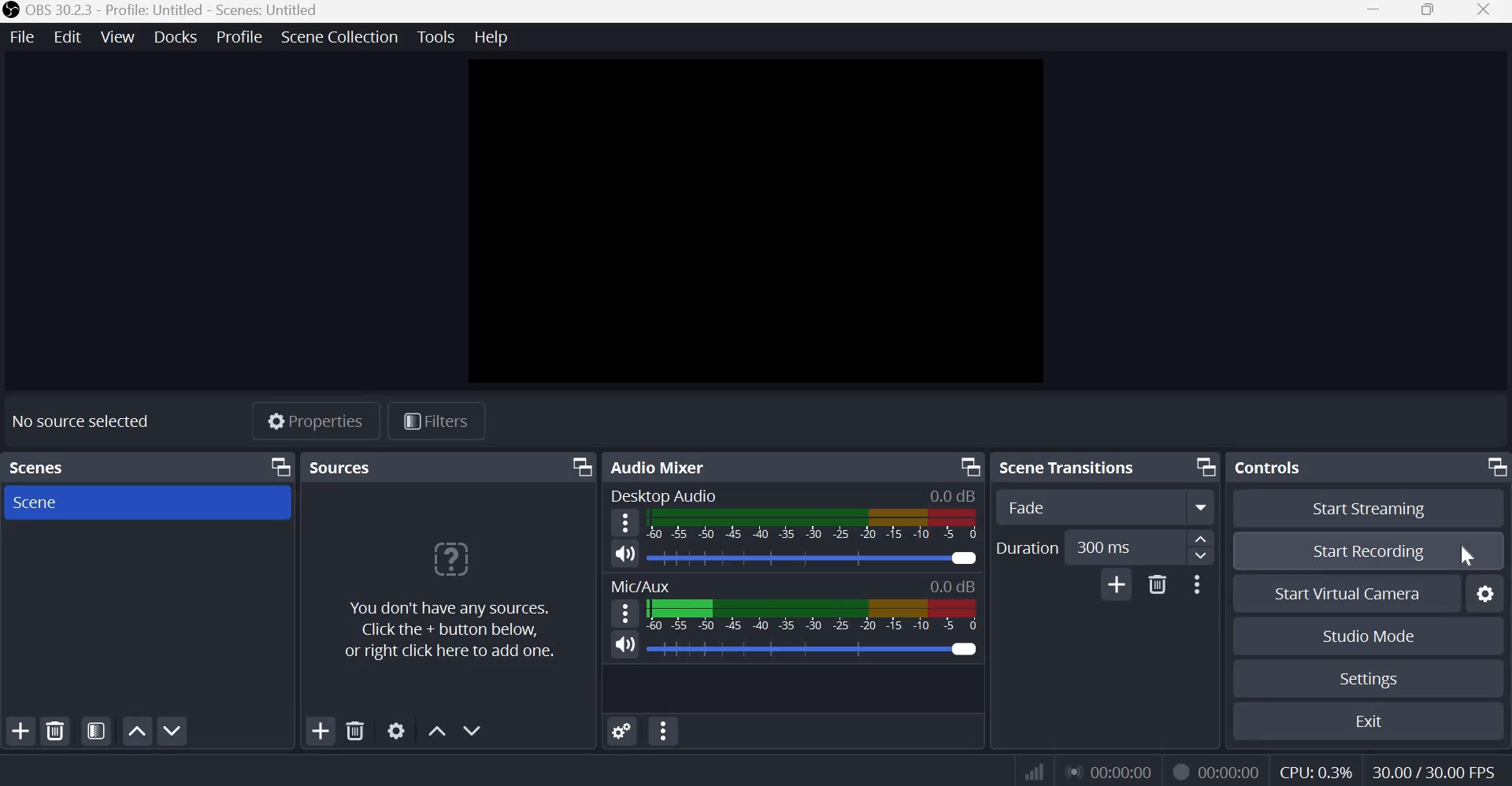 The height and width of the screenshot is (786, 1512). Describe the element at coordinates (342, 38) in the screenshot. I see `Scene Collection` at that location.